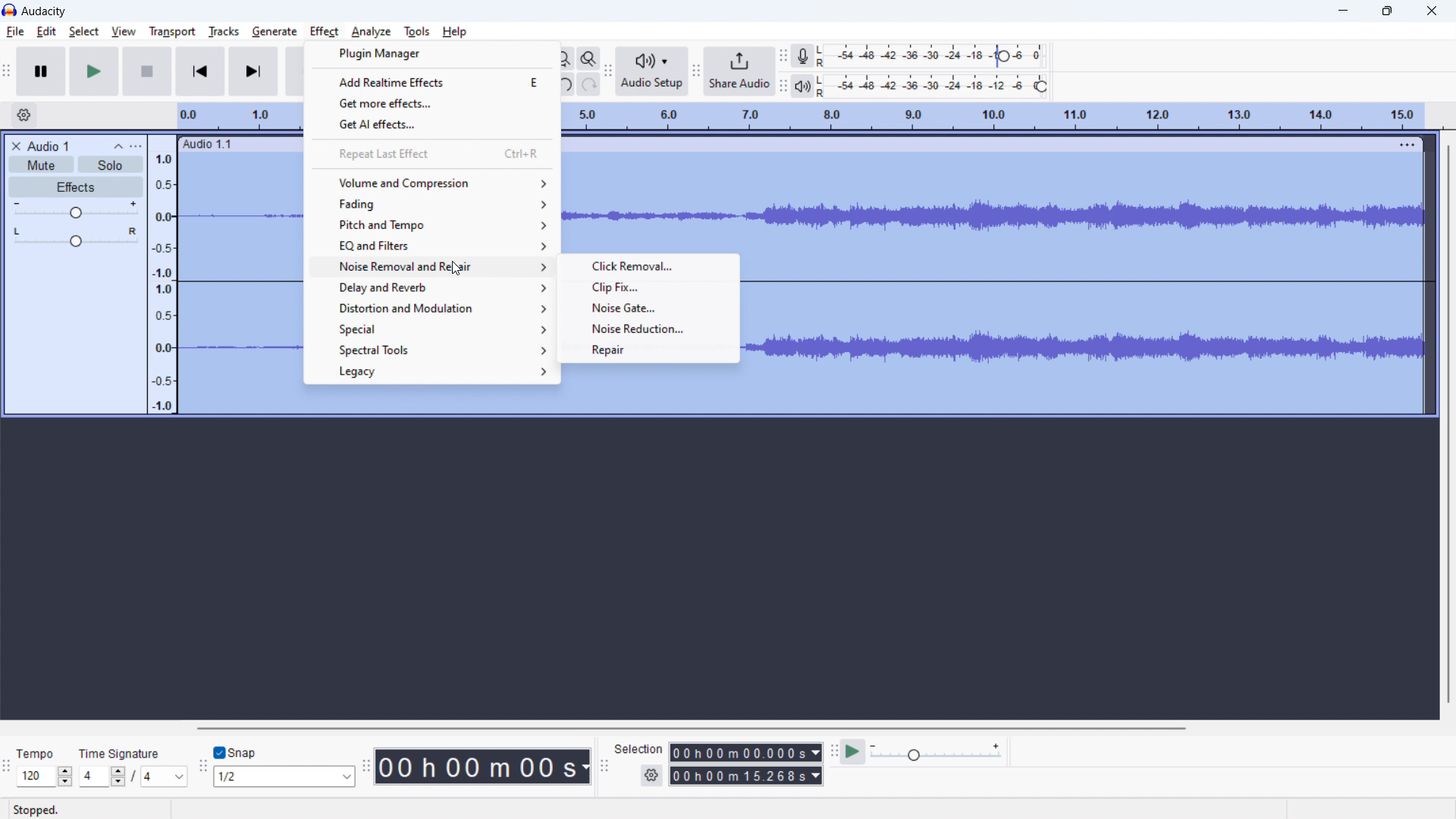 The height and width of the screenshot is (819, 1456). Describe the element at coordinates (432, 81) in the screenshot. I see `add realtime effects` at that location.